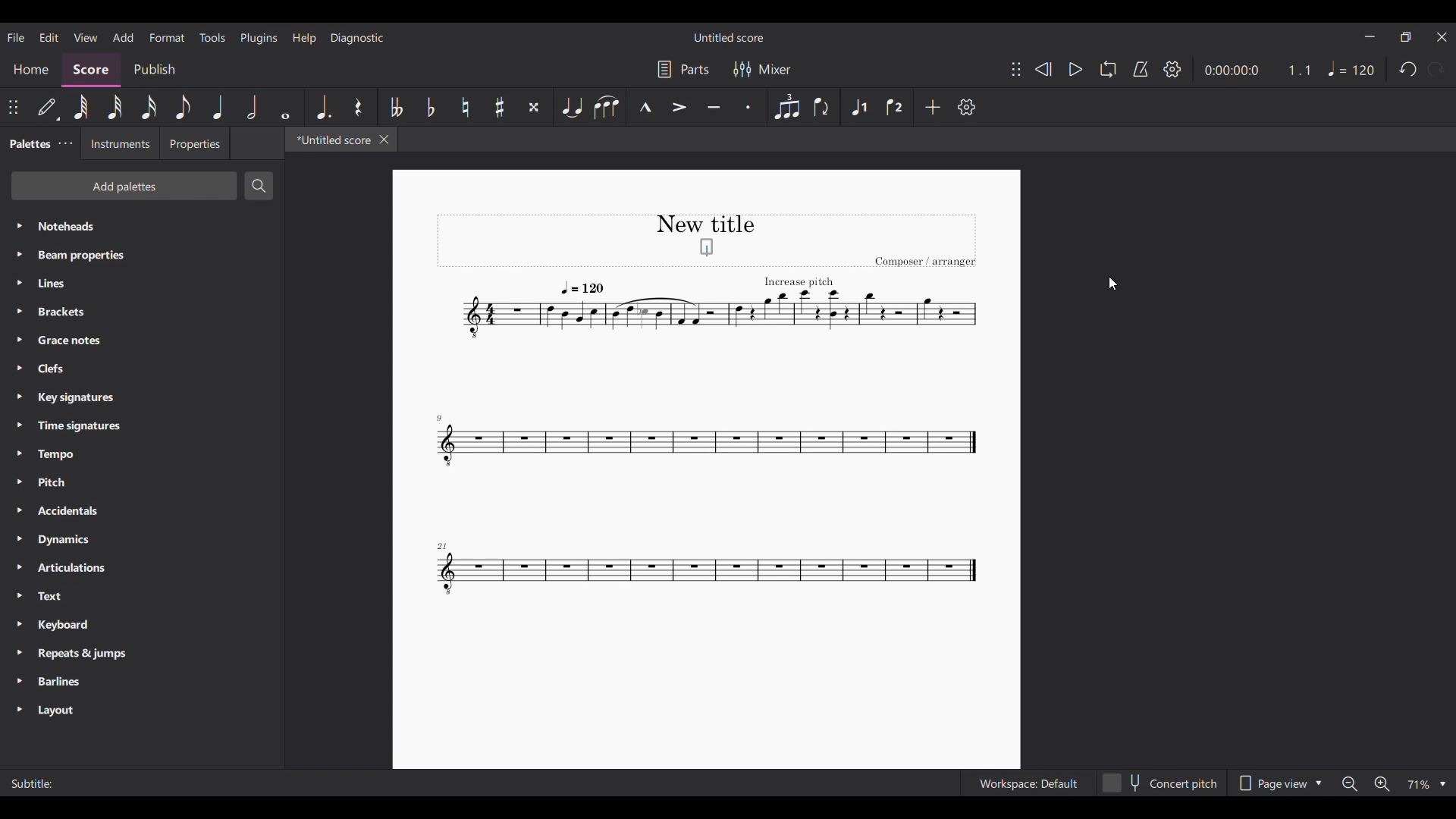  Describe the element at coordinates (1016, 69) in the screenshot. I see `Change position` at that location.